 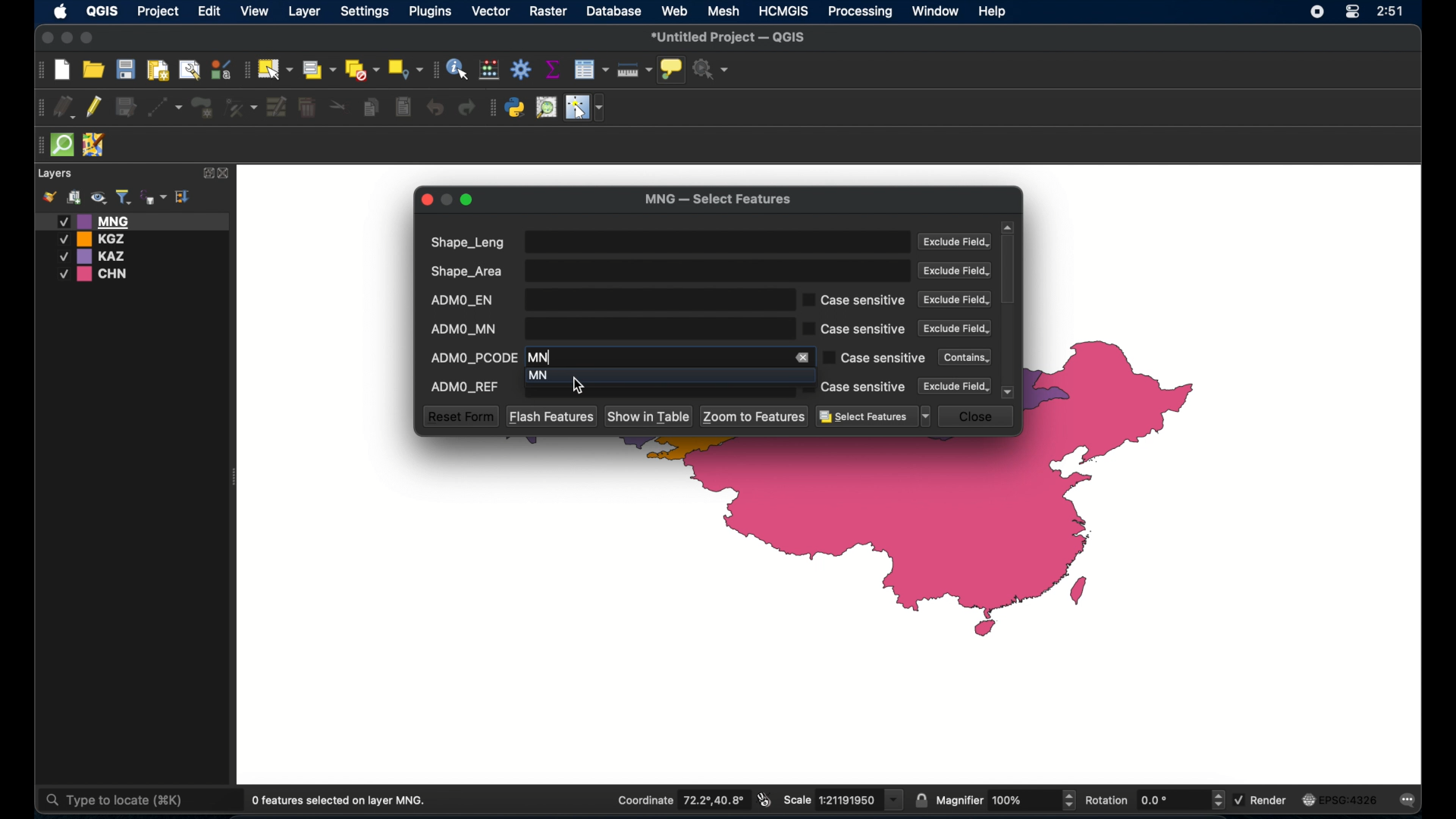 What do you see at coordinates (125, 69) in the screenshot?
I see `save project` at bounding box center [125, 69].